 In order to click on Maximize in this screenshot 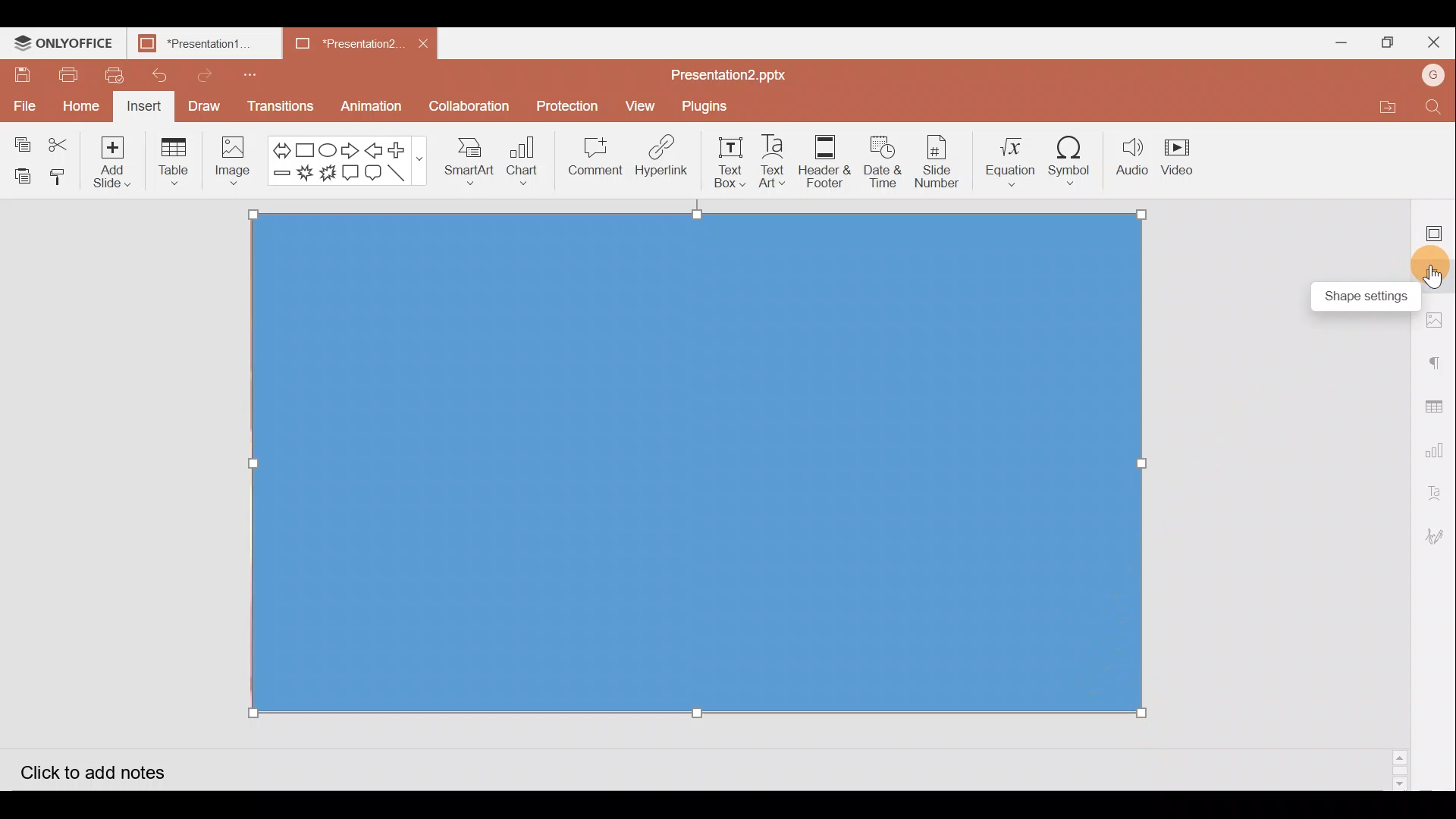, I will do `click(1386, 41)`.